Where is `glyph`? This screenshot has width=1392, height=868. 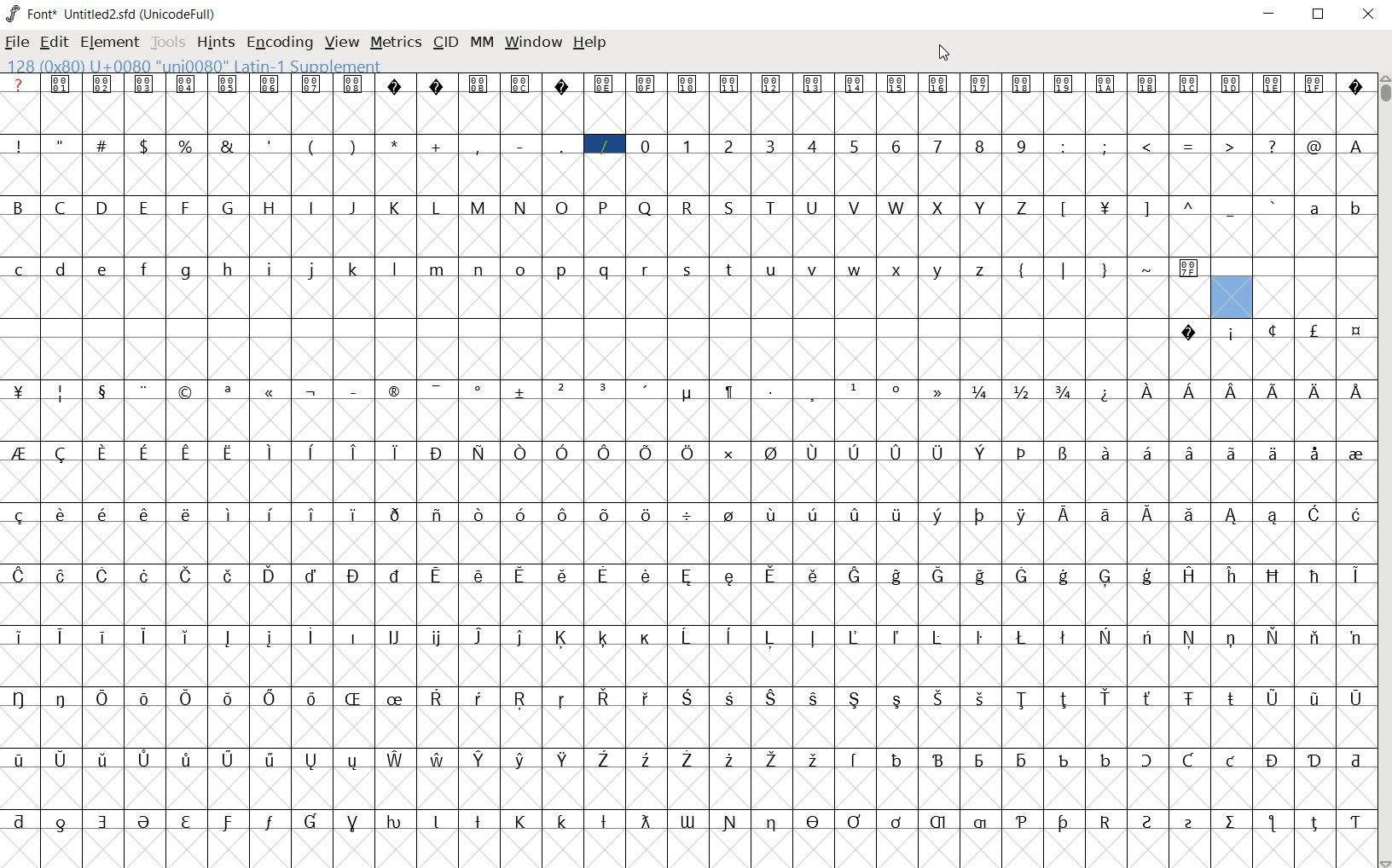 glyph is located at coordinates (519, 207).